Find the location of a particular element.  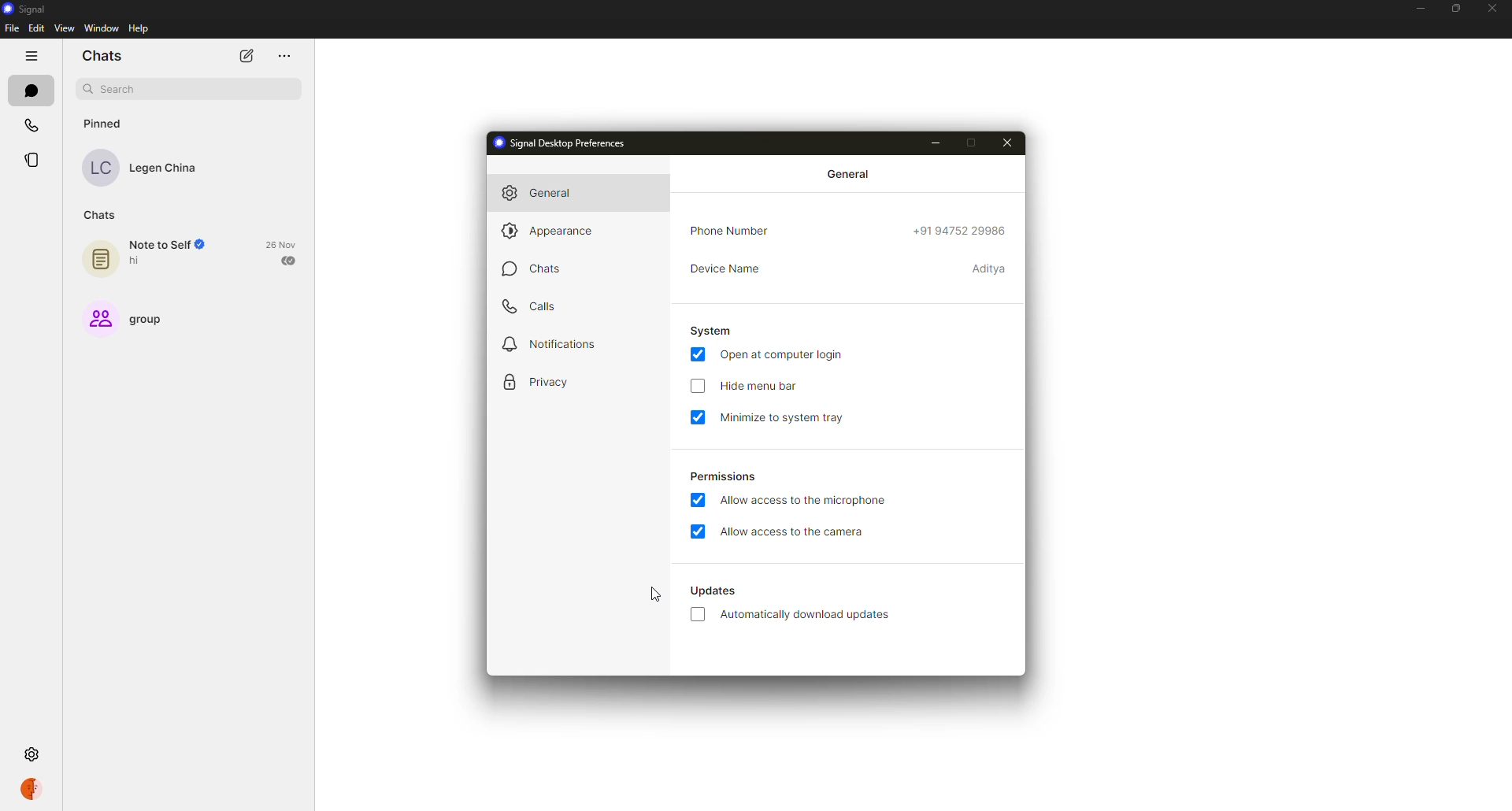

allow access to camera is located at coordinates (797, 532).